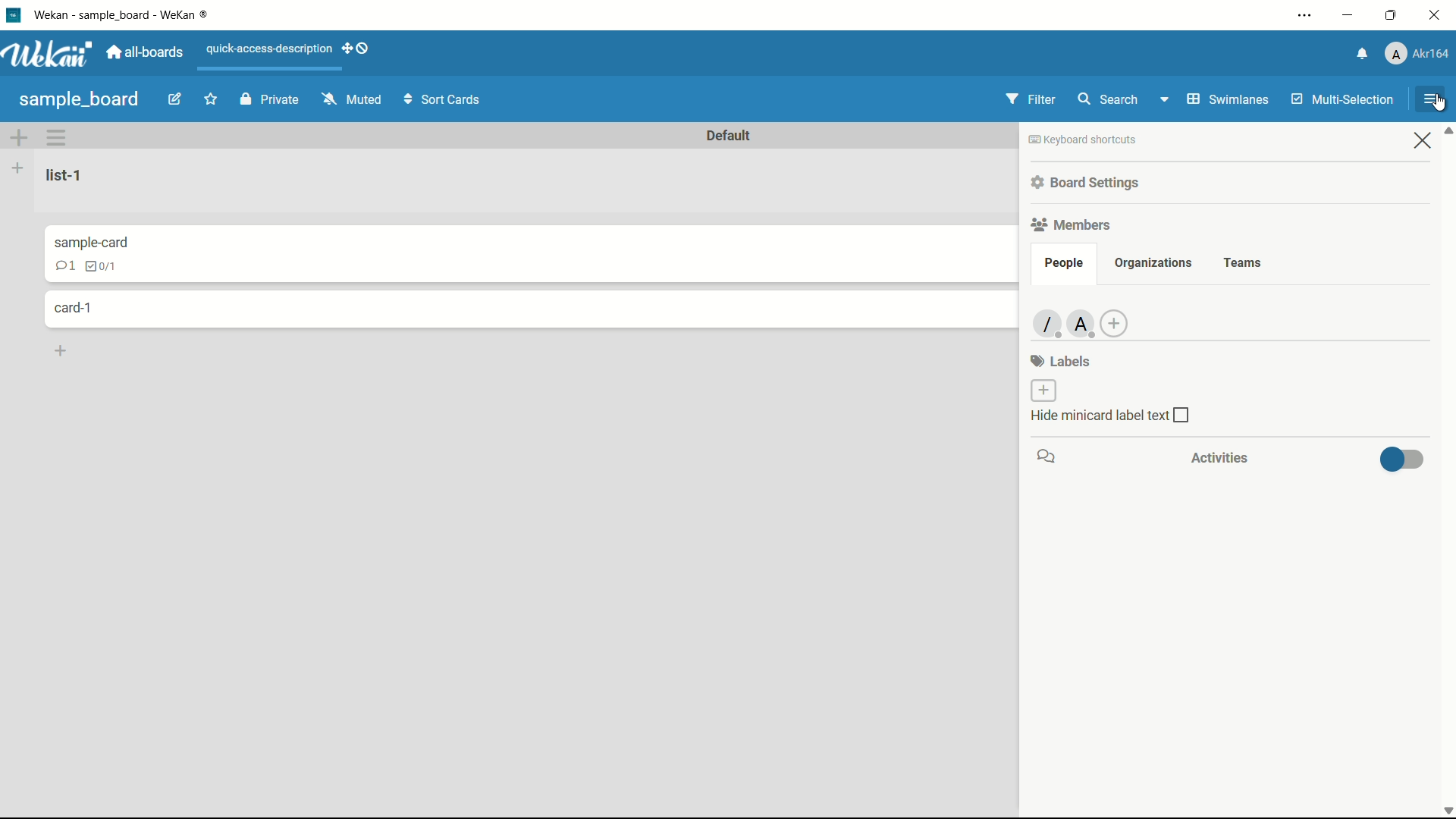 This screenshot has height=819, width=1456. Describe the element at coordinates (1440, 104) in the screenshot. I see `cursor` at that location.